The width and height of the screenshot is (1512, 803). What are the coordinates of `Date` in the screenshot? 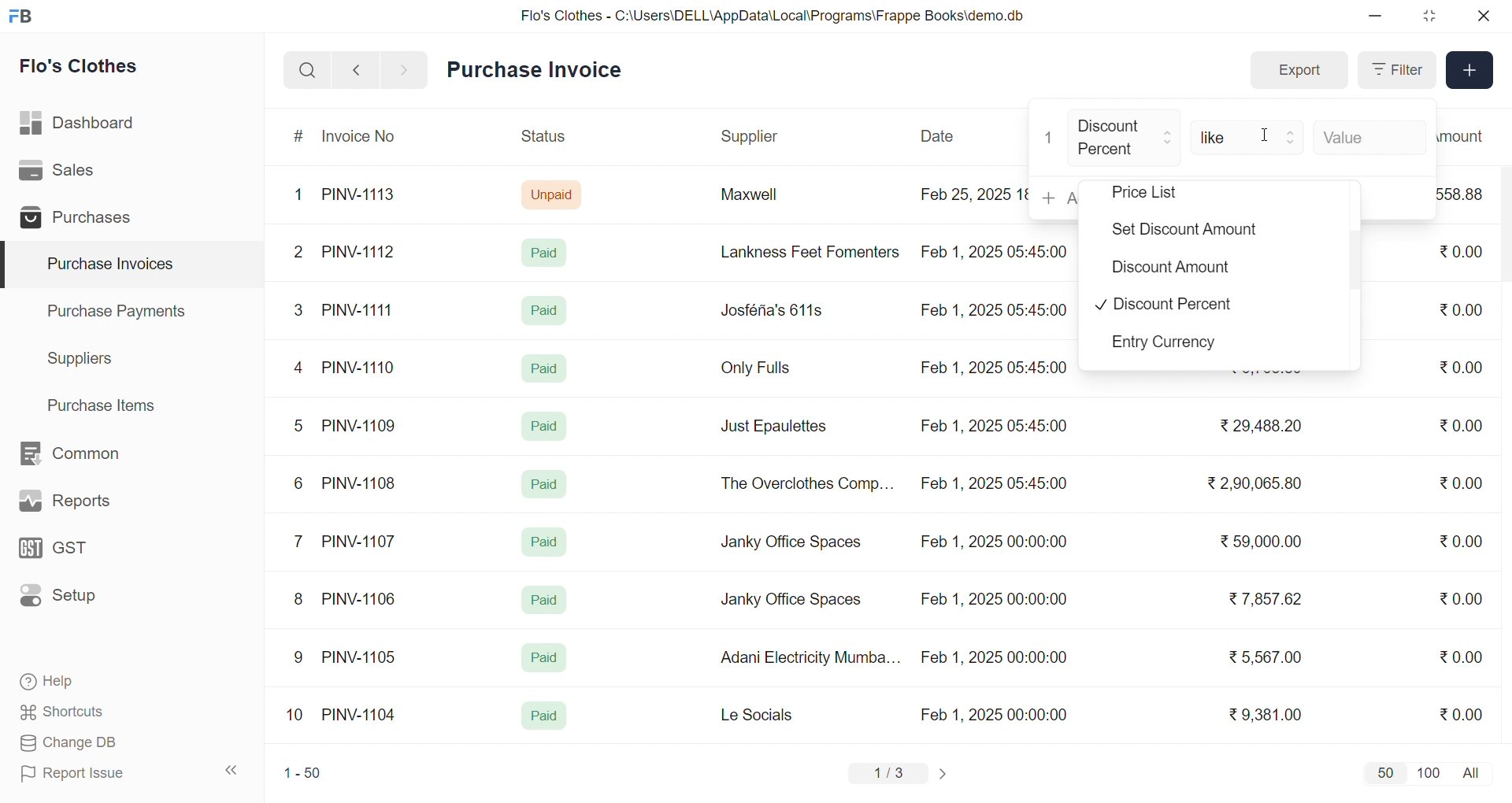 It's located at (939, 136).